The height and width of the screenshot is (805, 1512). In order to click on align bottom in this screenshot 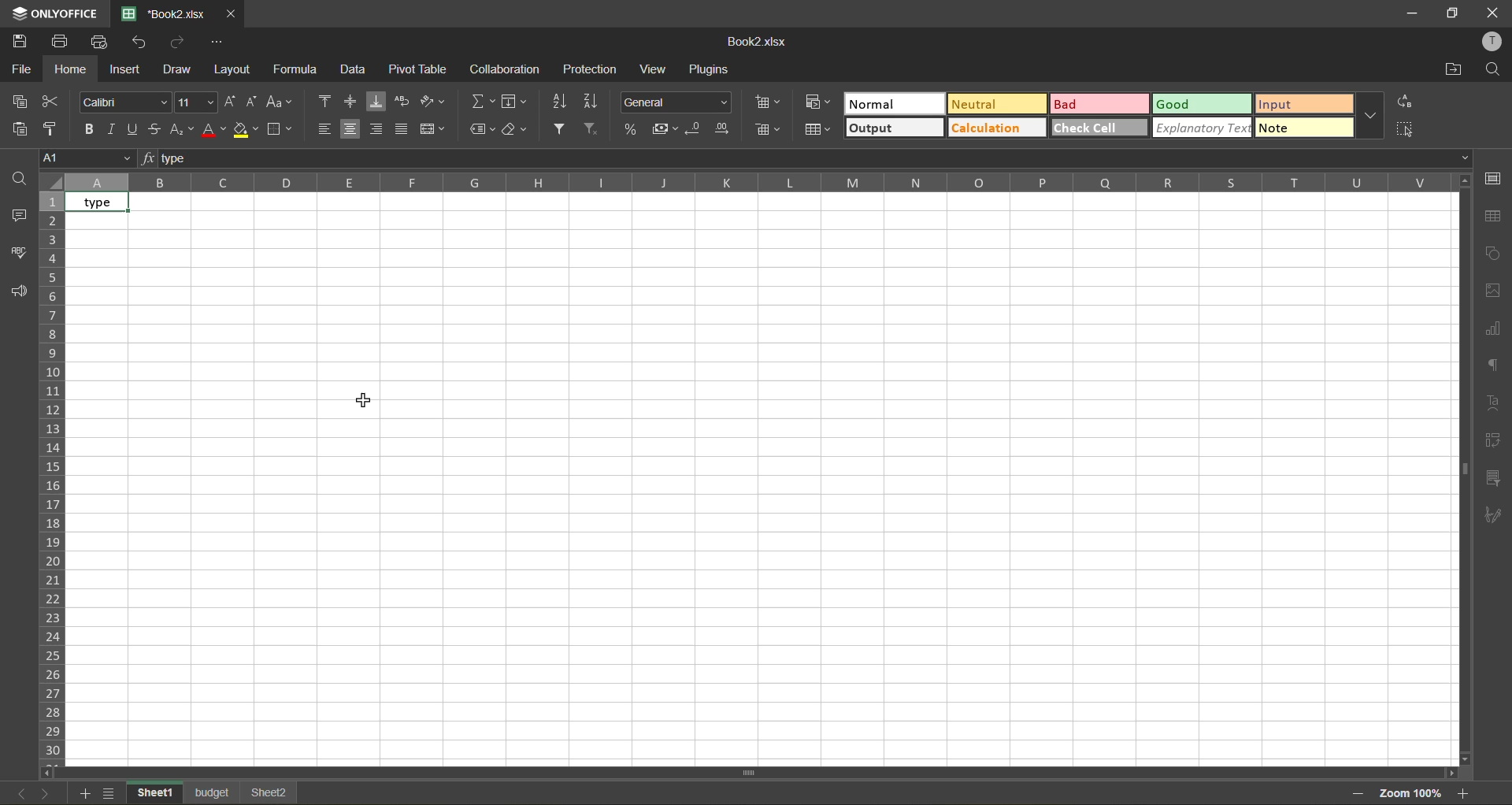, I will do `click(380, 98)`.